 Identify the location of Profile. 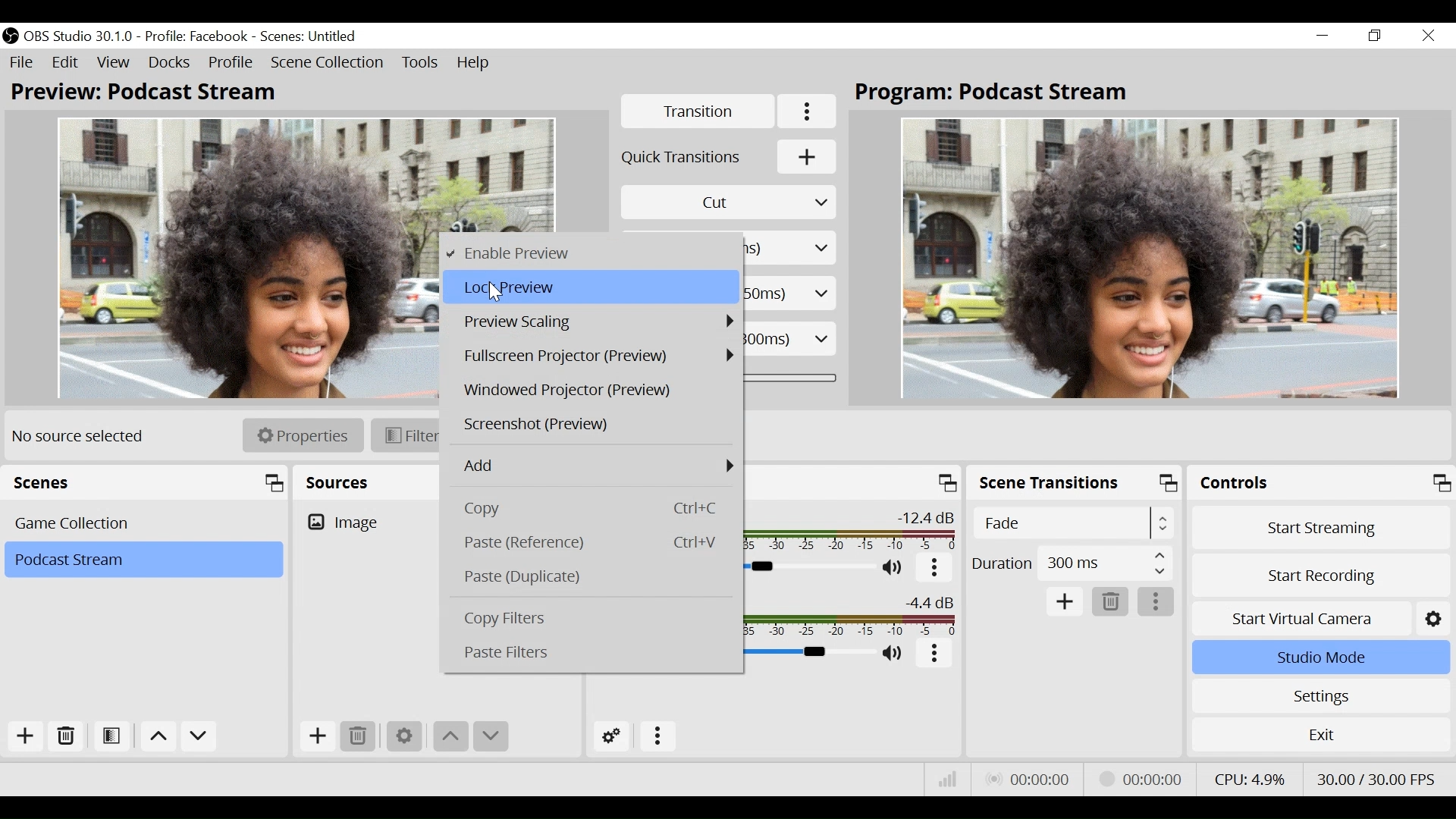
(199, 36).